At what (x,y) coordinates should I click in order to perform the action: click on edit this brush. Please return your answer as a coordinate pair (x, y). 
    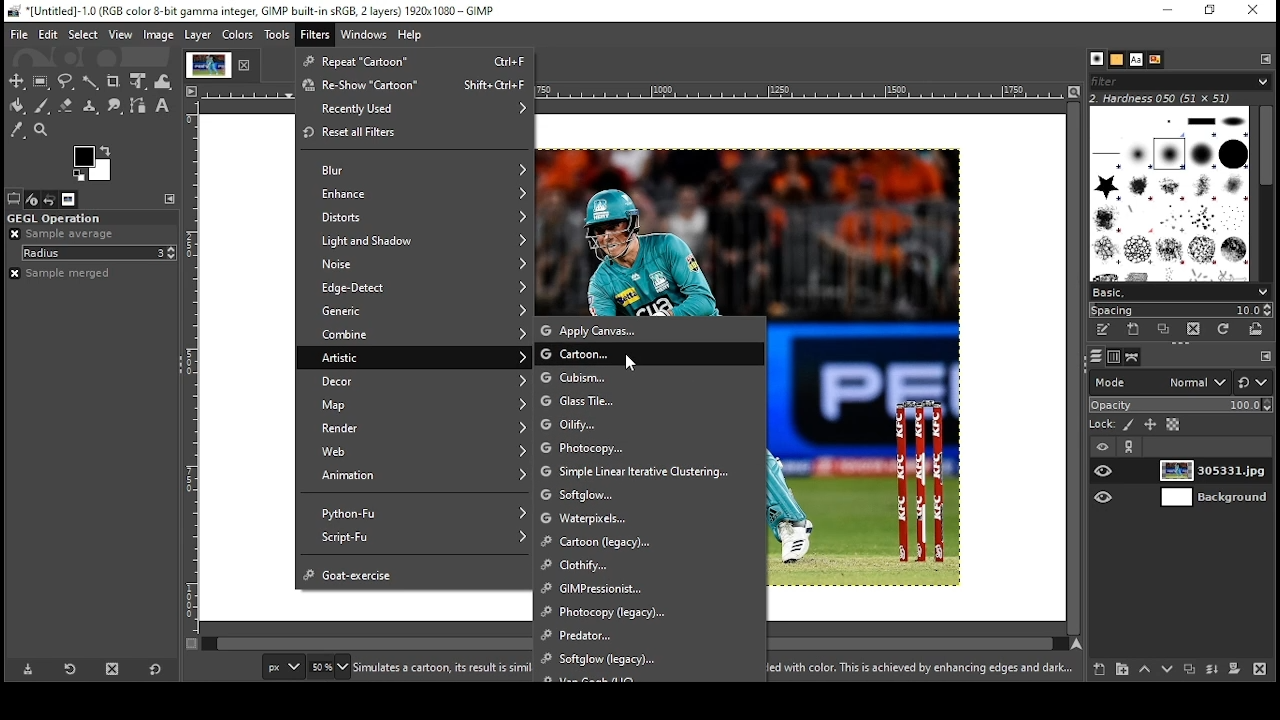
    Looking at the image, I should click on (1104, 329).